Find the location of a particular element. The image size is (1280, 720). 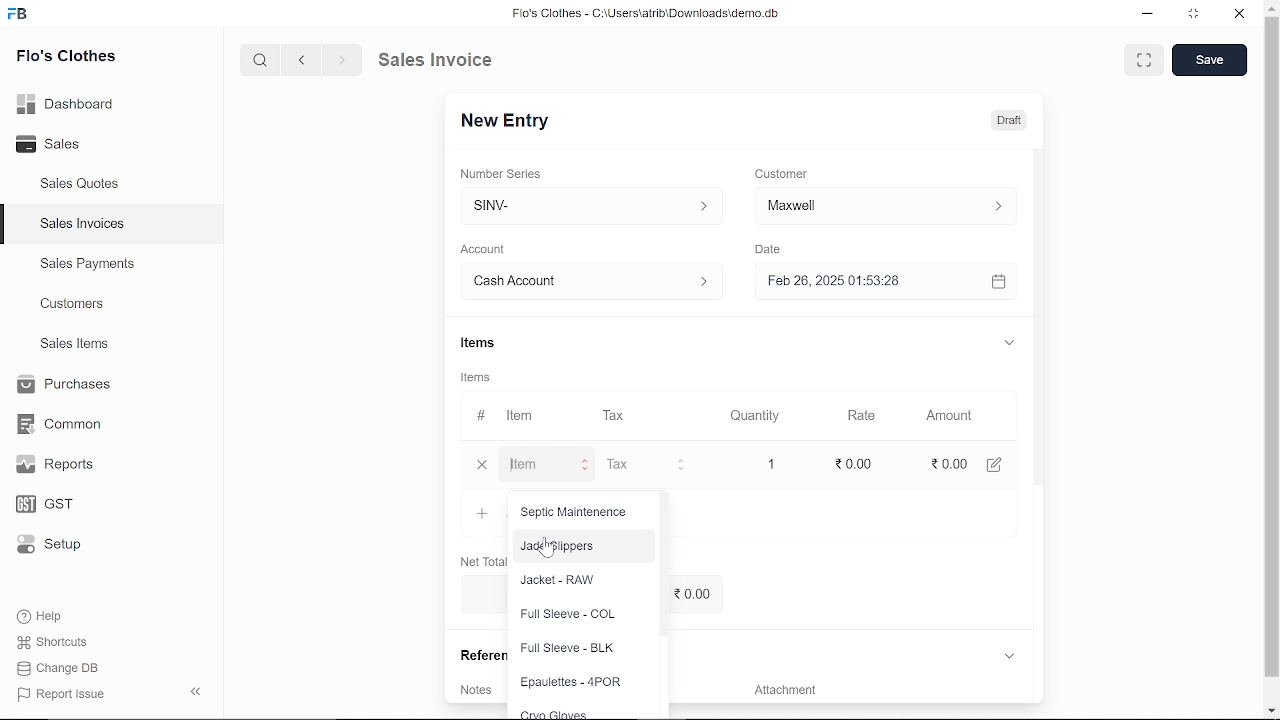

Account is located at coordinates (497, 250).